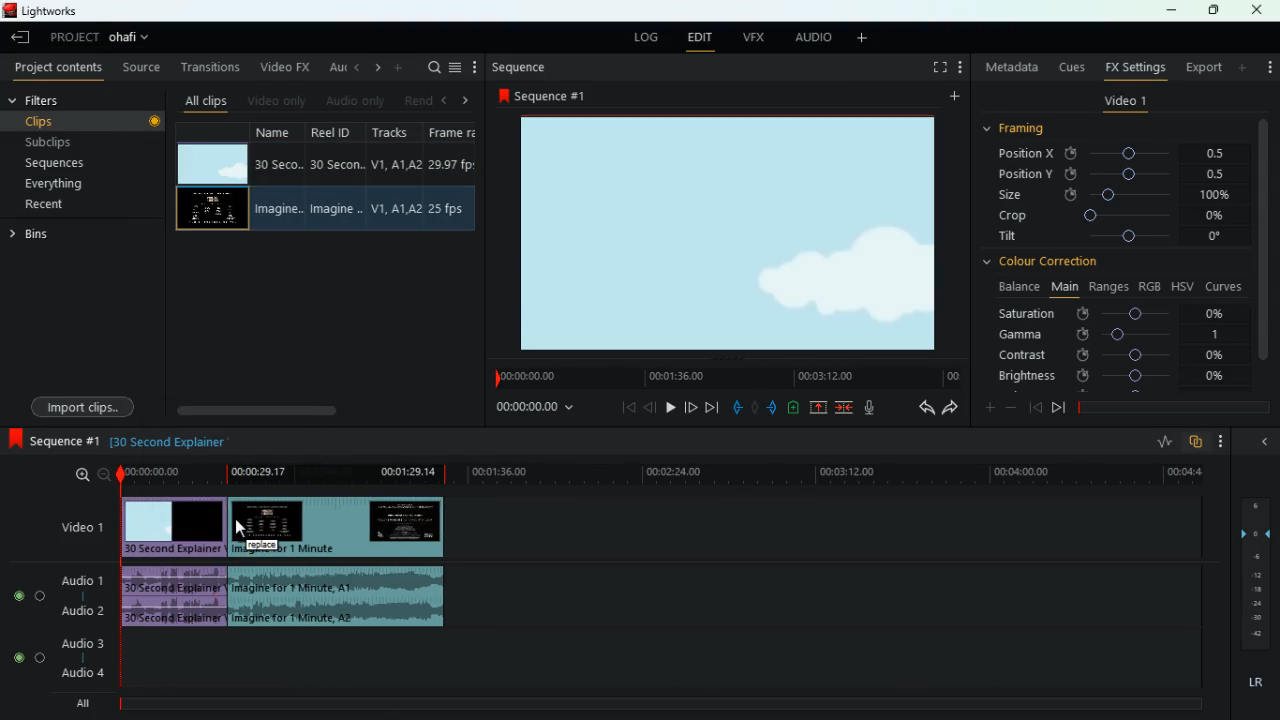 This screenshot has height=720, width=1280. I want to click on balance, so click(1016, 287).